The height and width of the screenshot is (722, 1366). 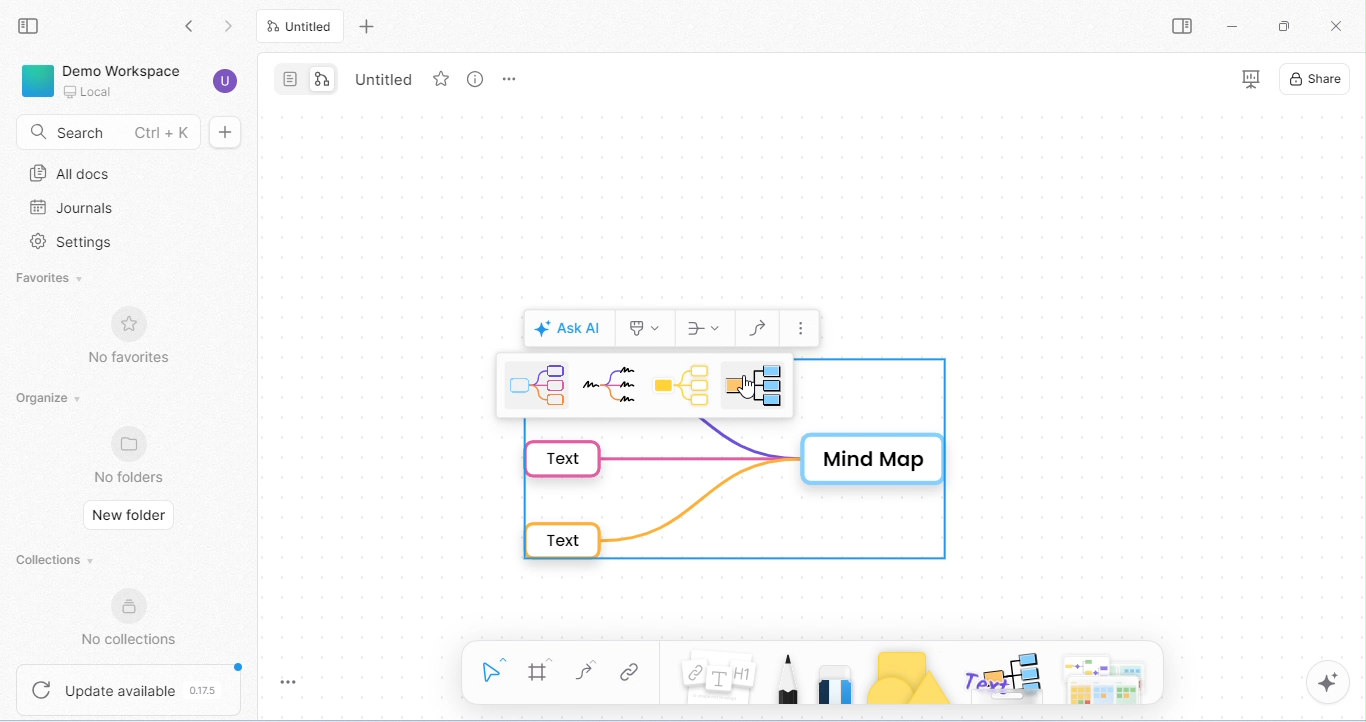 What do you see at coordinates (508, 80) in the screenshot?
I see `tab options` at bounding box center [508, 80].